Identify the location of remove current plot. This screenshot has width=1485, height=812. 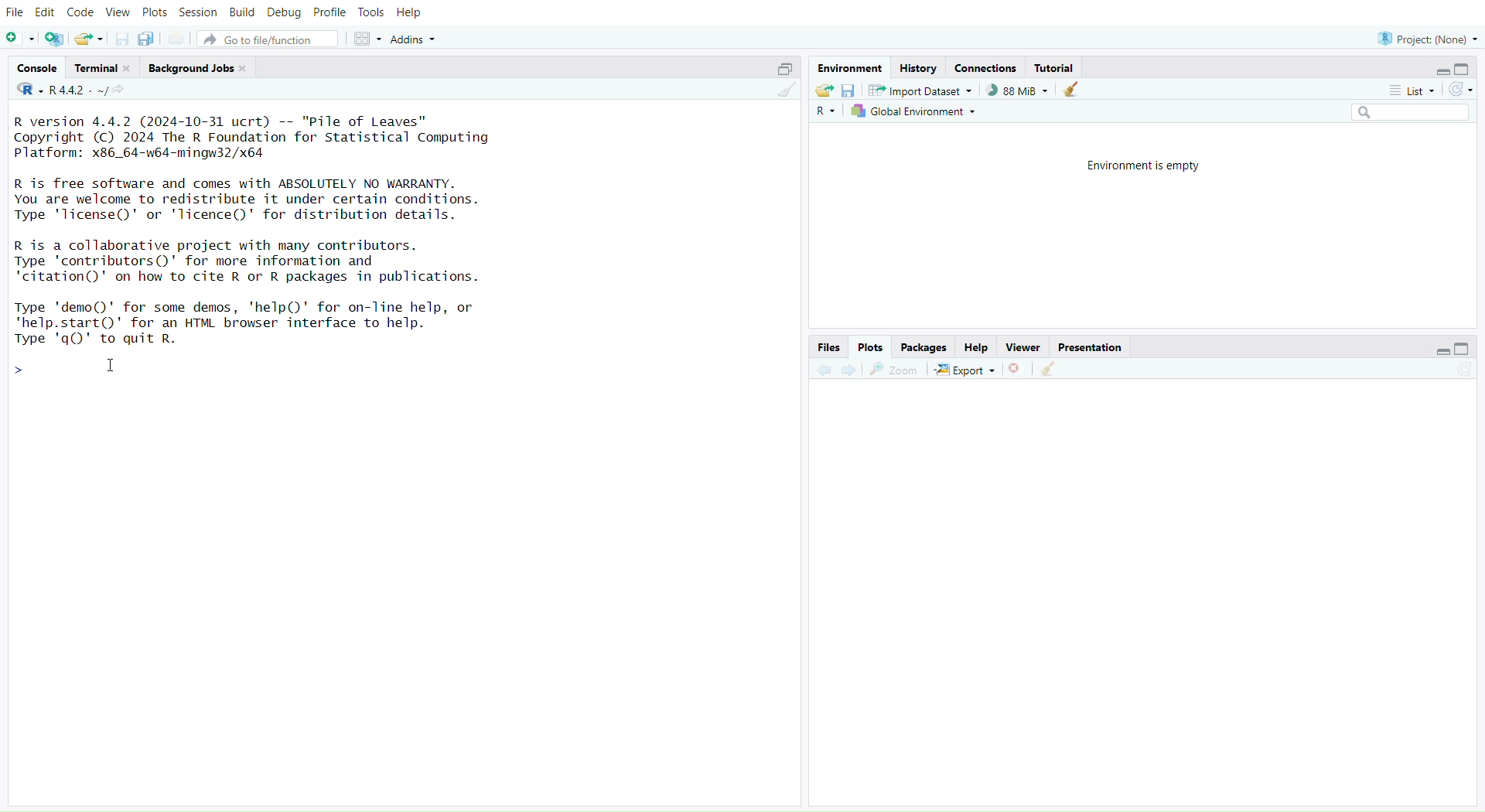
(1018, 369).